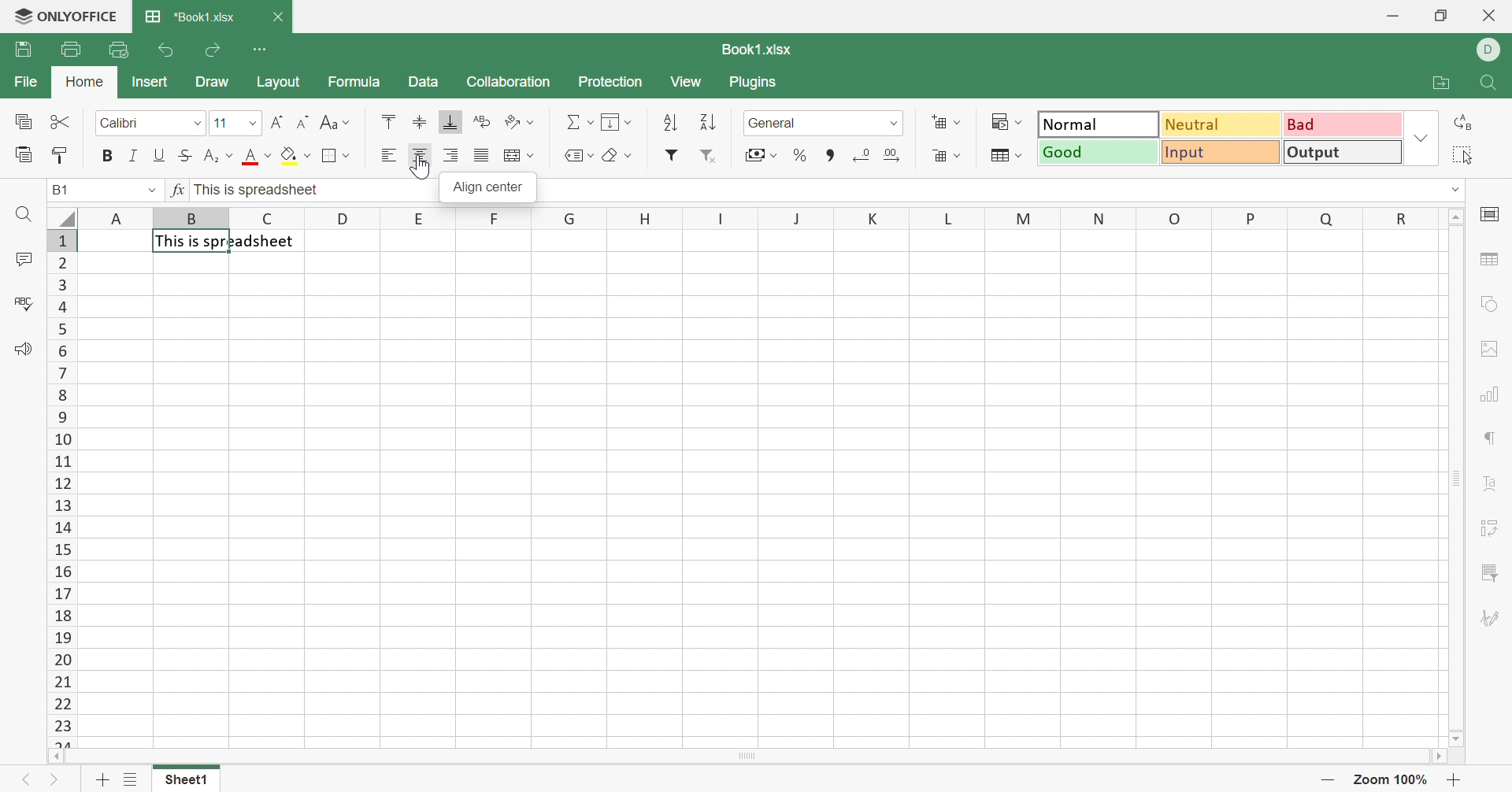 This screenshot has width=1512, height=792. Describe the element at coordinates (1491, 49) in the screenshot. I see `DELL` at that location.